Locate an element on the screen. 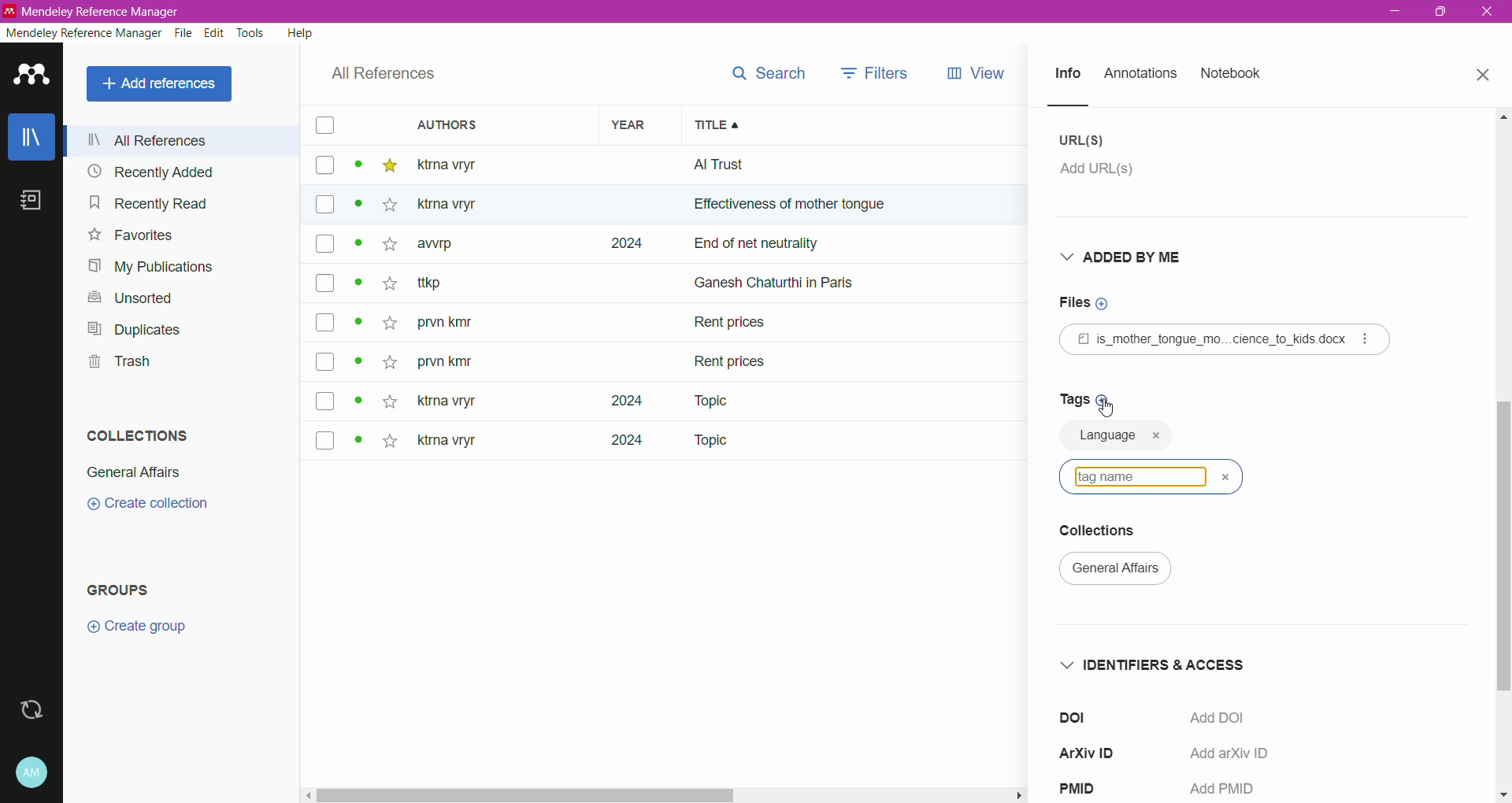 The width and height of the screenshot is (1512, 803). Mendeley Reference Manager is located at coordinates (83, 33).